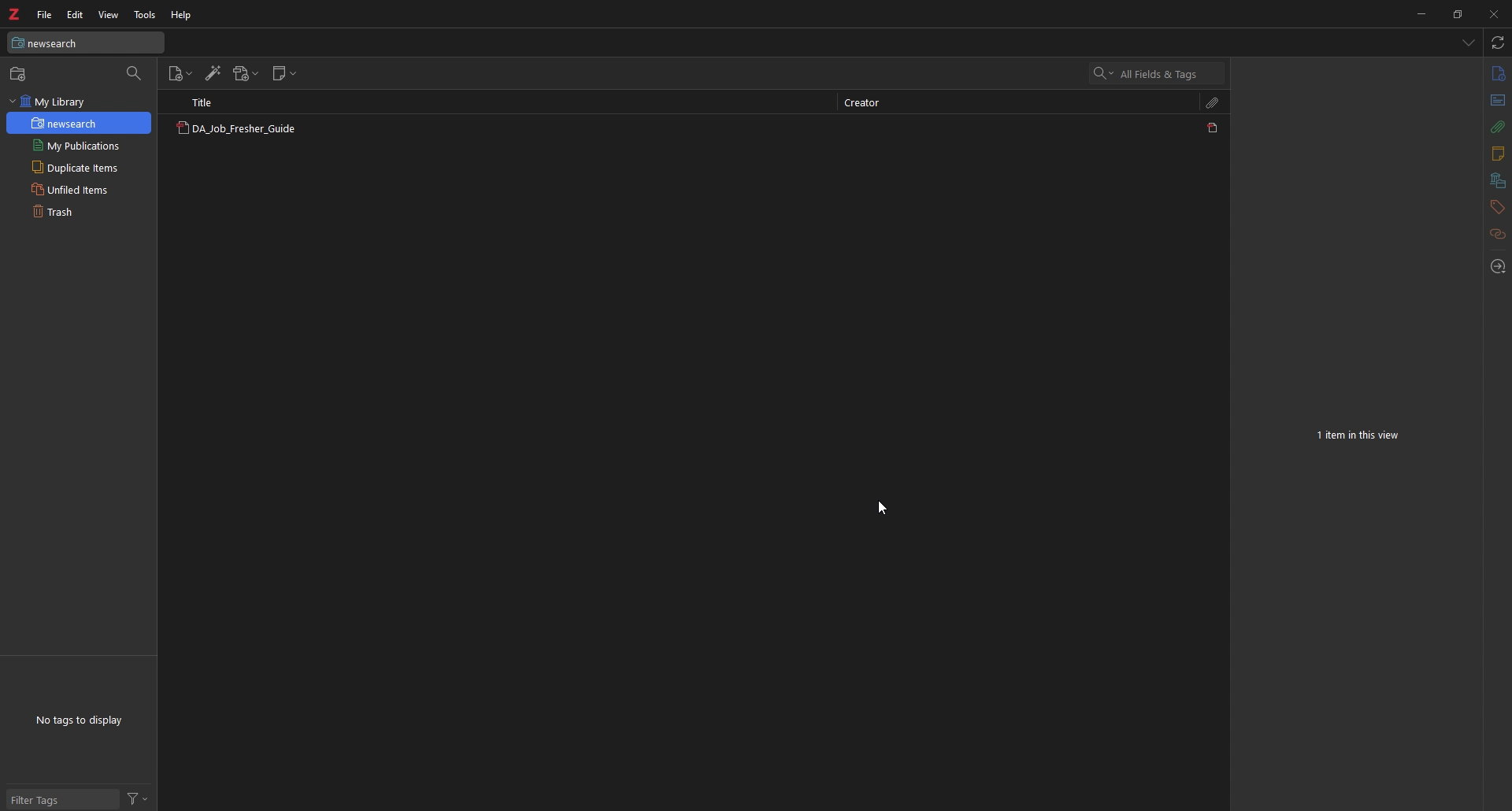 The image size is (1512, 811). I want to click on collection and libraries, so click(1498, 181).